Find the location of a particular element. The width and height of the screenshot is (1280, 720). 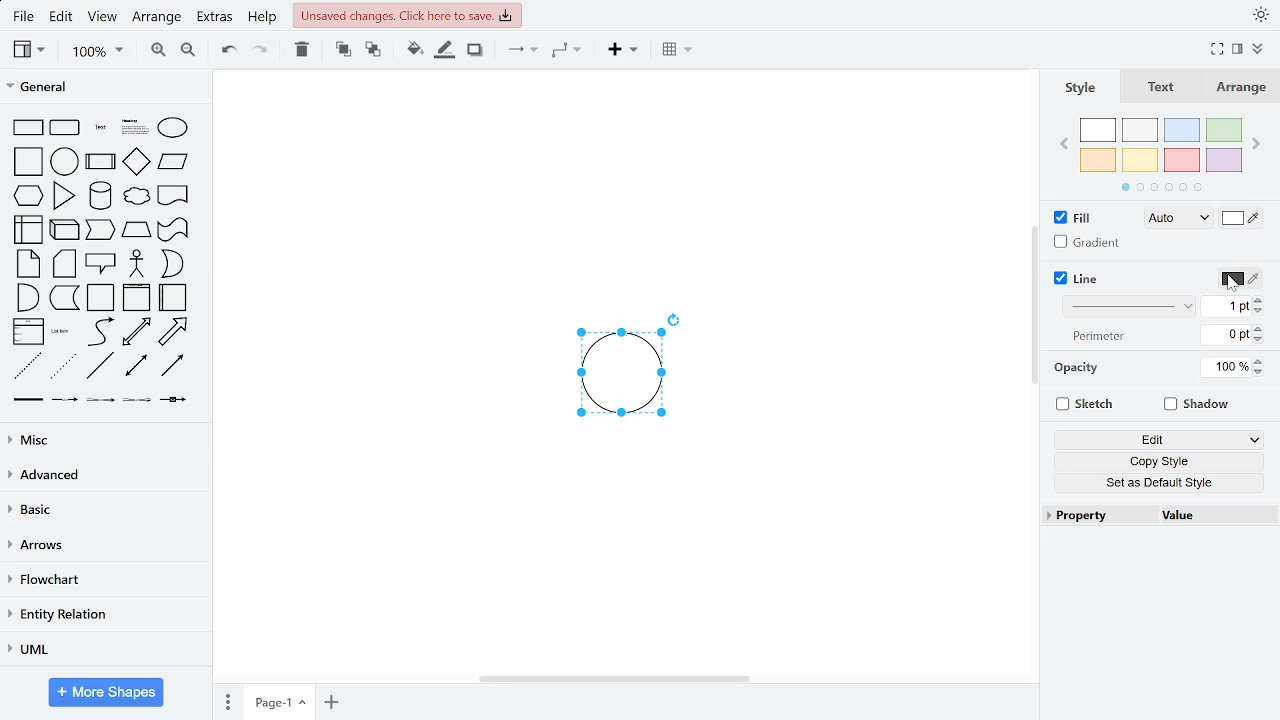

horizontal scrollbar is located at coordinates (614, 679).